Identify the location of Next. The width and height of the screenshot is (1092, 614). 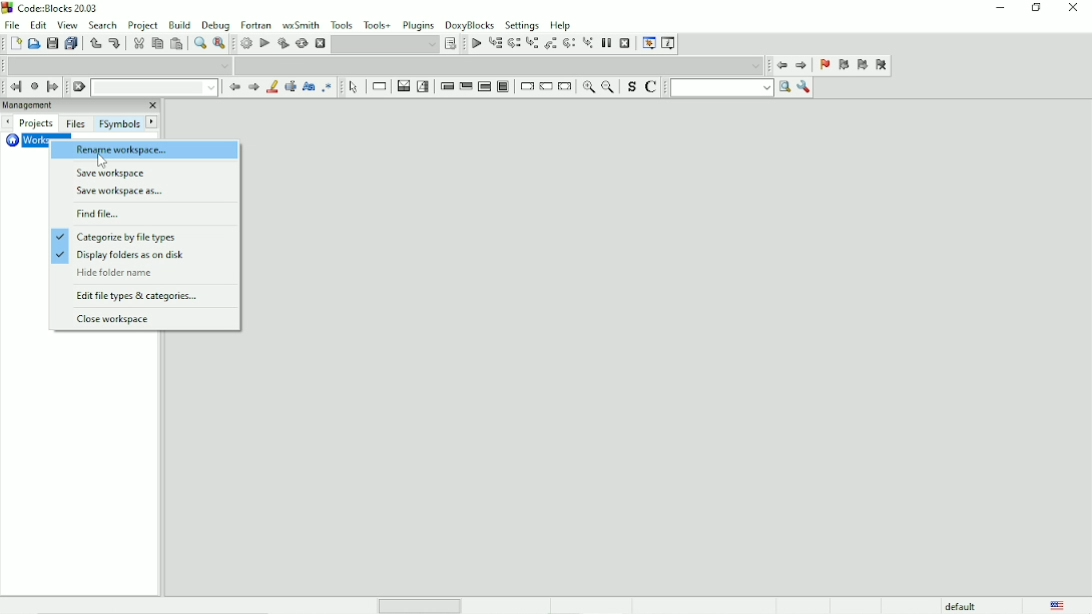
(152, 122).